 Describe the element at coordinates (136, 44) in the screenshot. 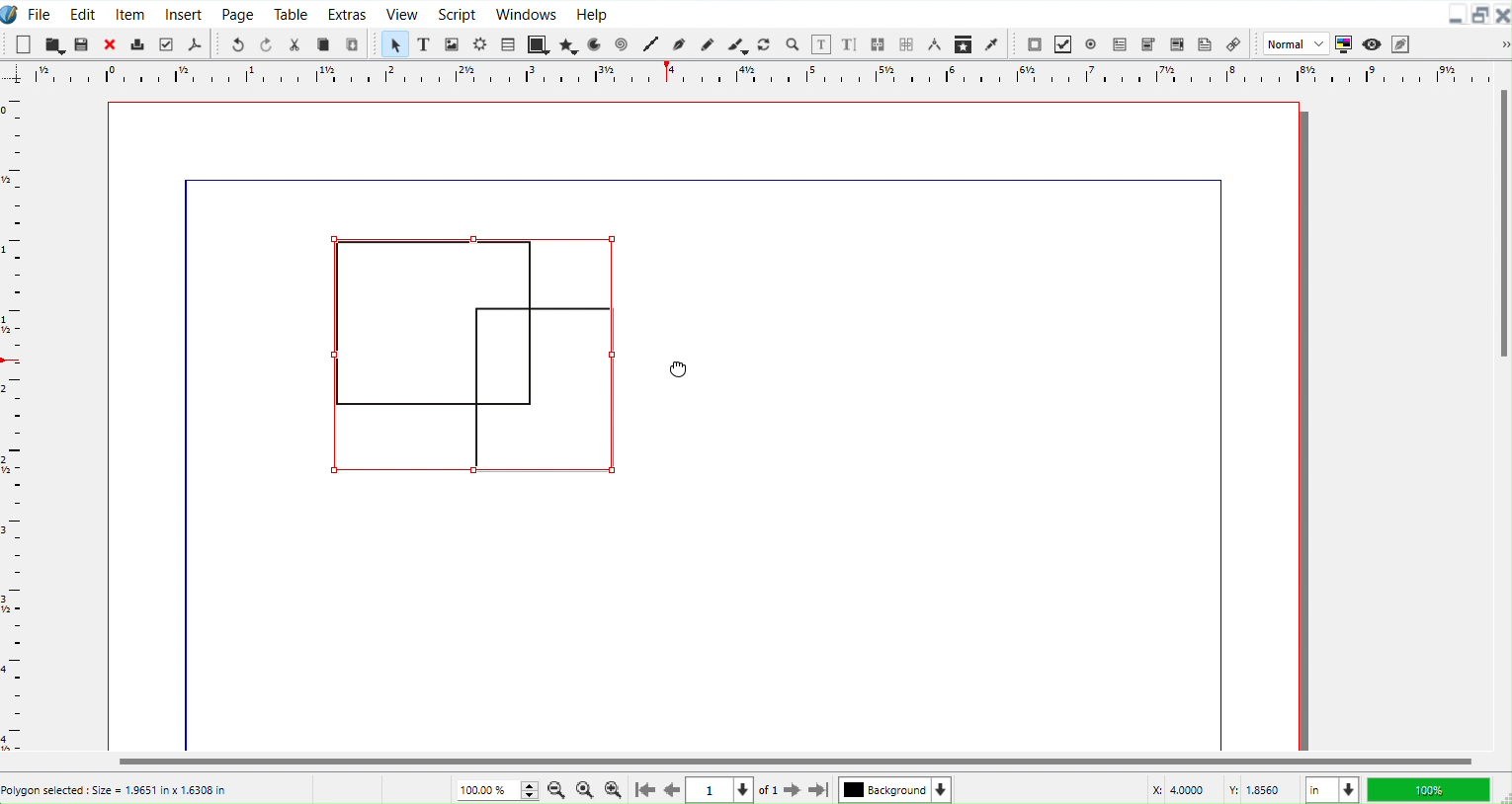

I see `Print` at that location.